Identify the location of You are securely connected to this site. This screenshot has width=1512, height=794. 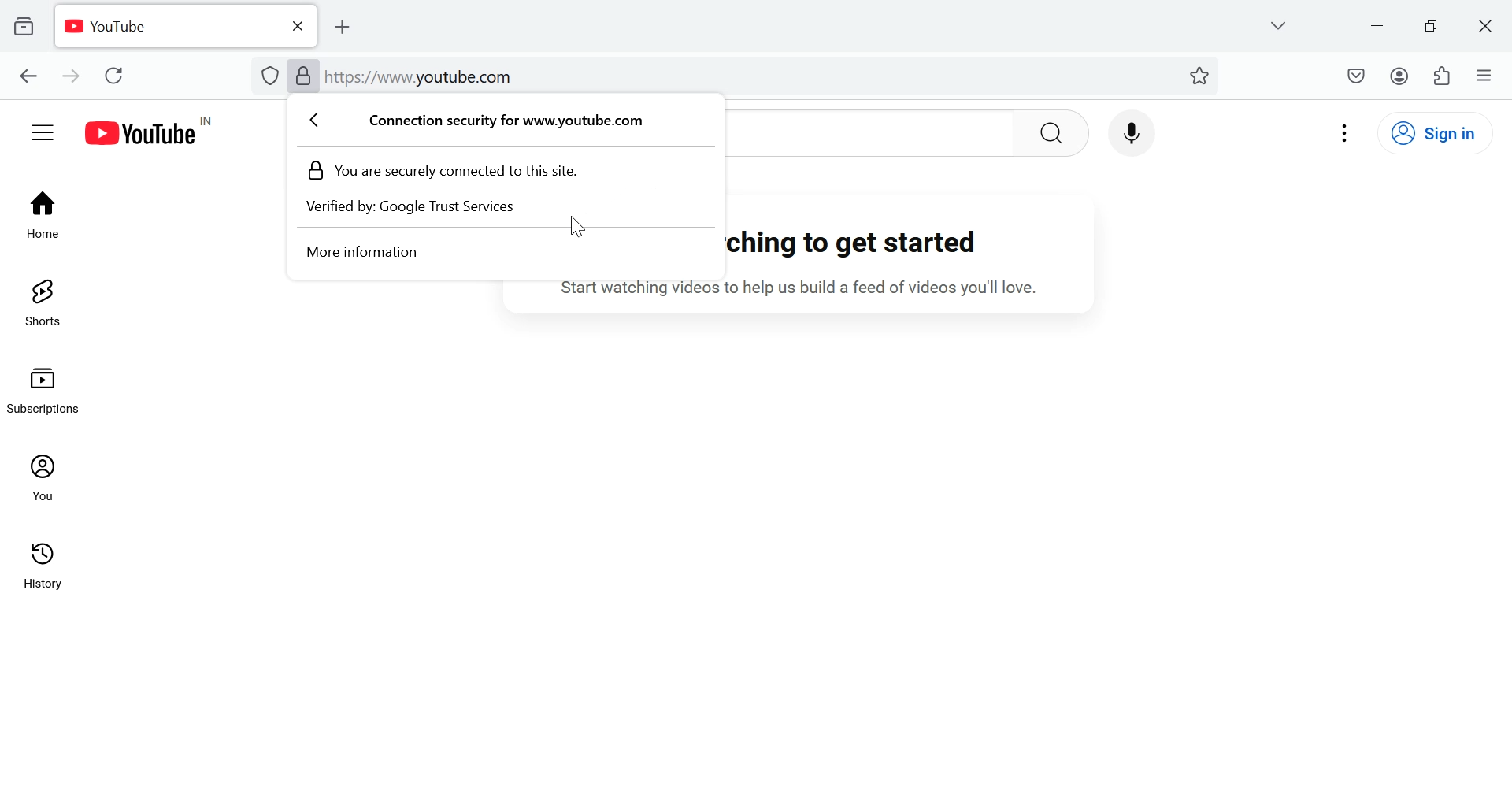
(453, 173).